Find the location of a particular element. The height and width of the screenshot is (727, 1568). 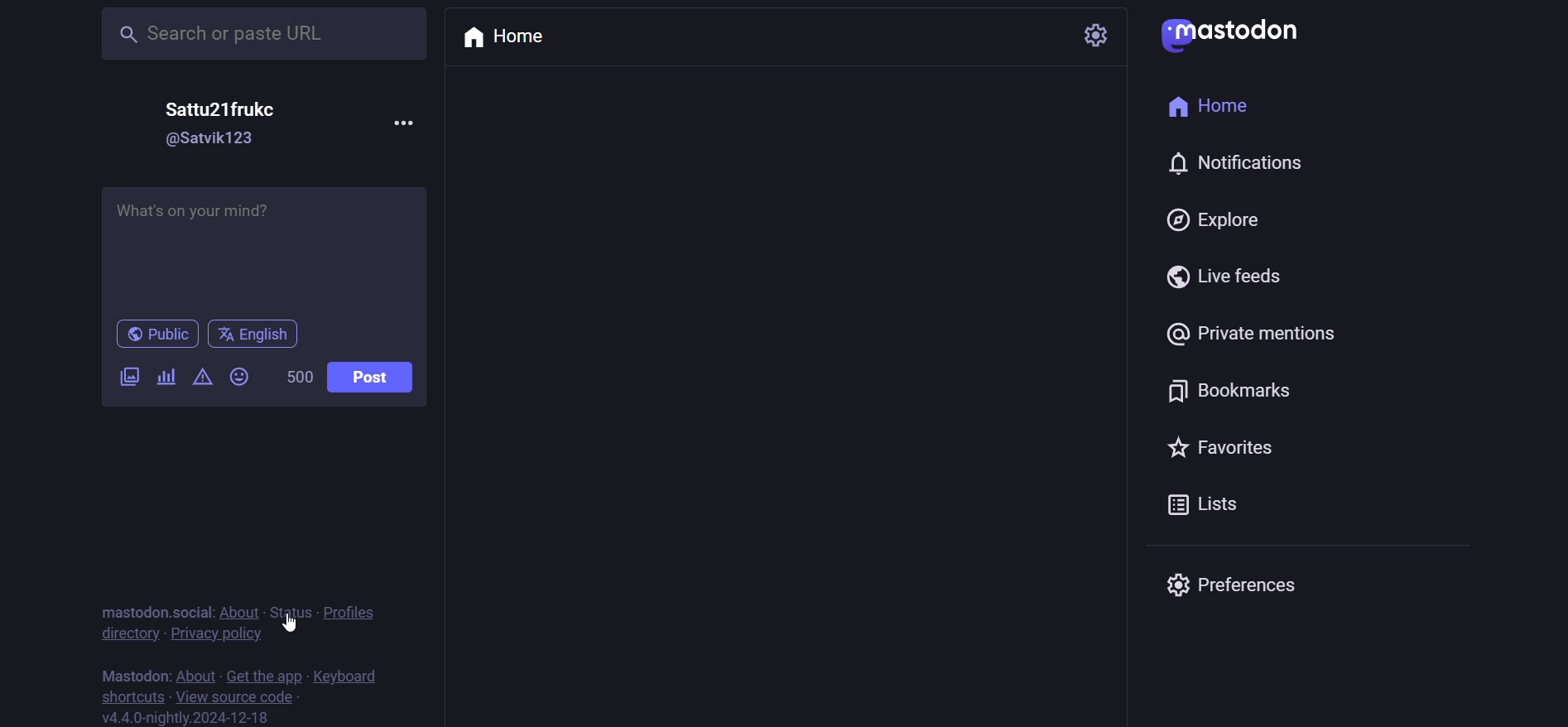

preferences is located at coordinates (1223, 582).